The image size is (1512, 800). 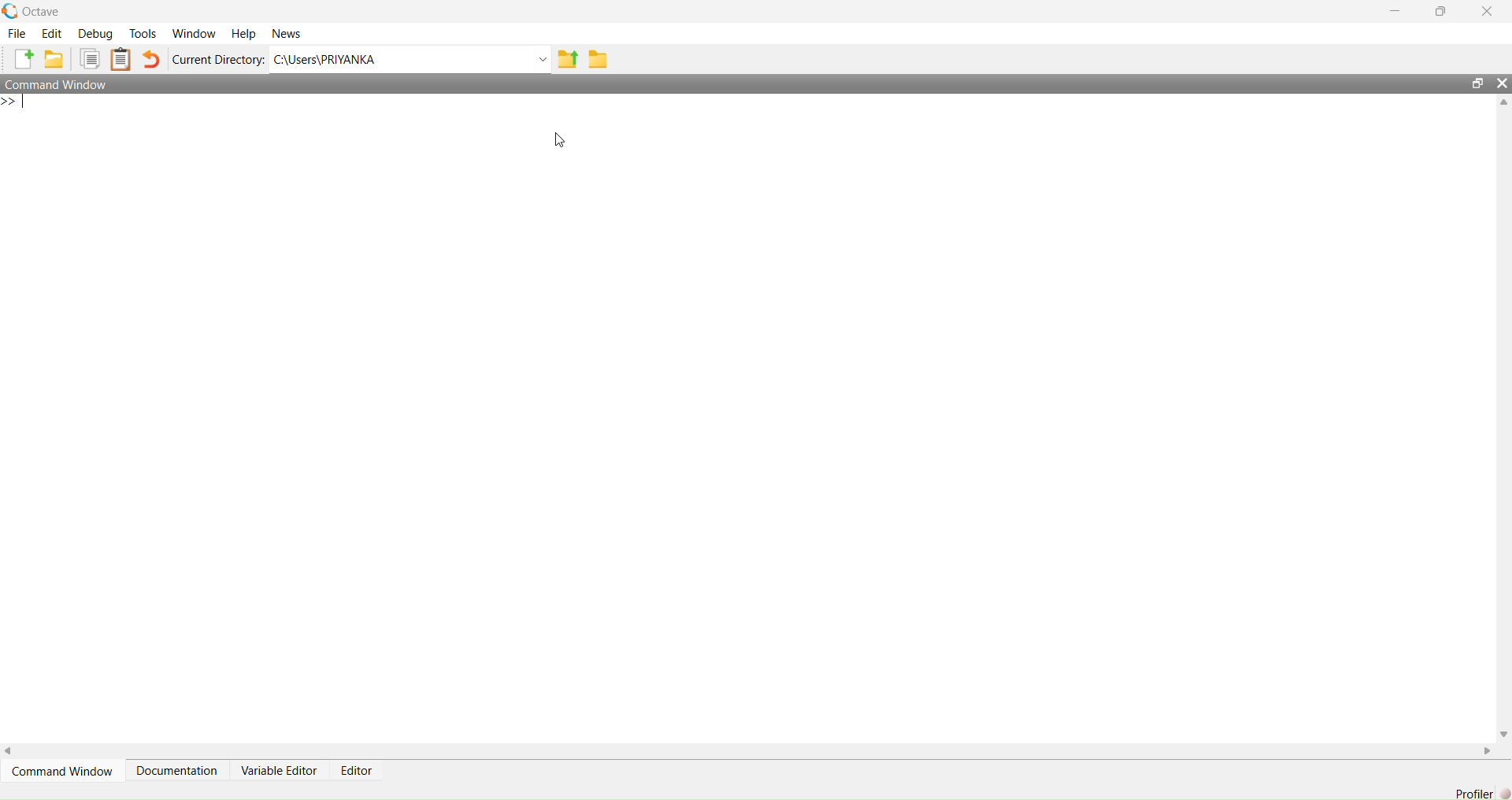 What do you see at coordinates (401, 59) in the screenshot?
I see `C:\Users\PRIYANKA` at bounding box center [401, 59].